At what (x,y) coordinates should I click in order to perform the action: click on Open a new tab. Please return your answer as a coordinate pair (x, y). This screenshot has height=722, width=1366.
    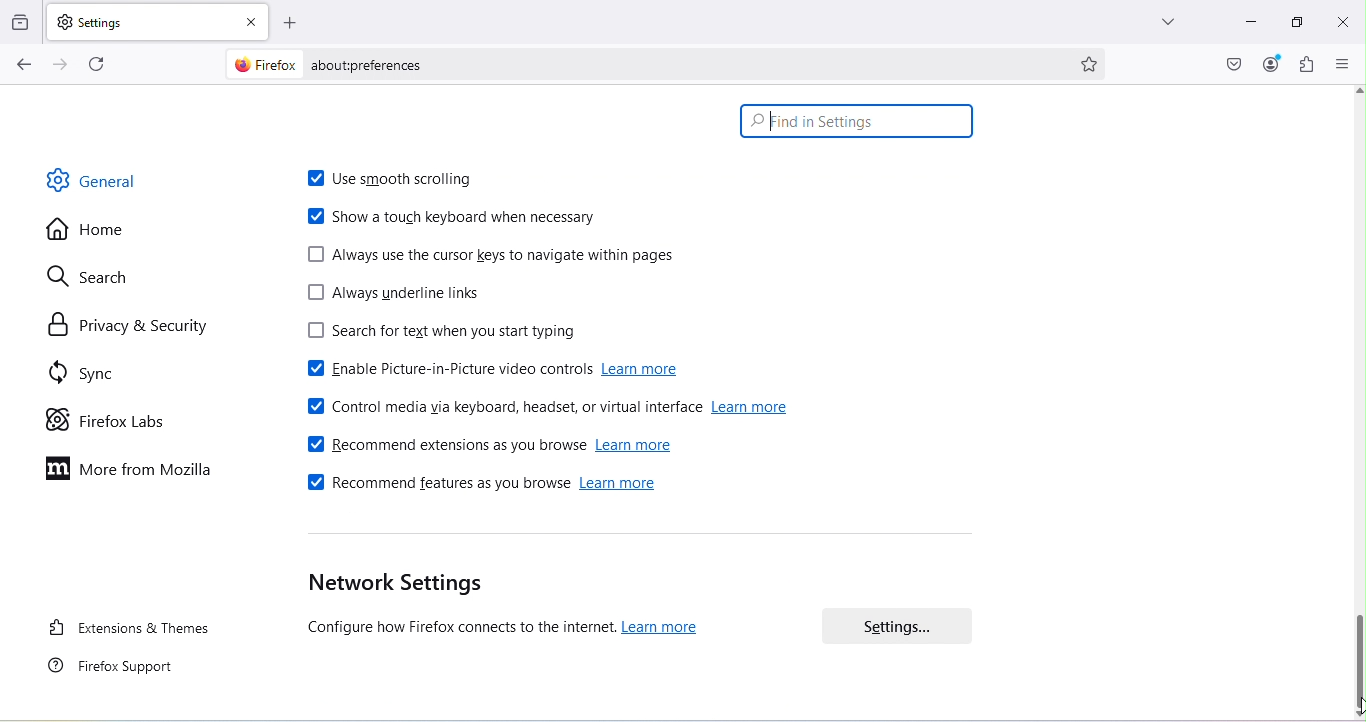
    Looking at the image, I should click on (299, 25).